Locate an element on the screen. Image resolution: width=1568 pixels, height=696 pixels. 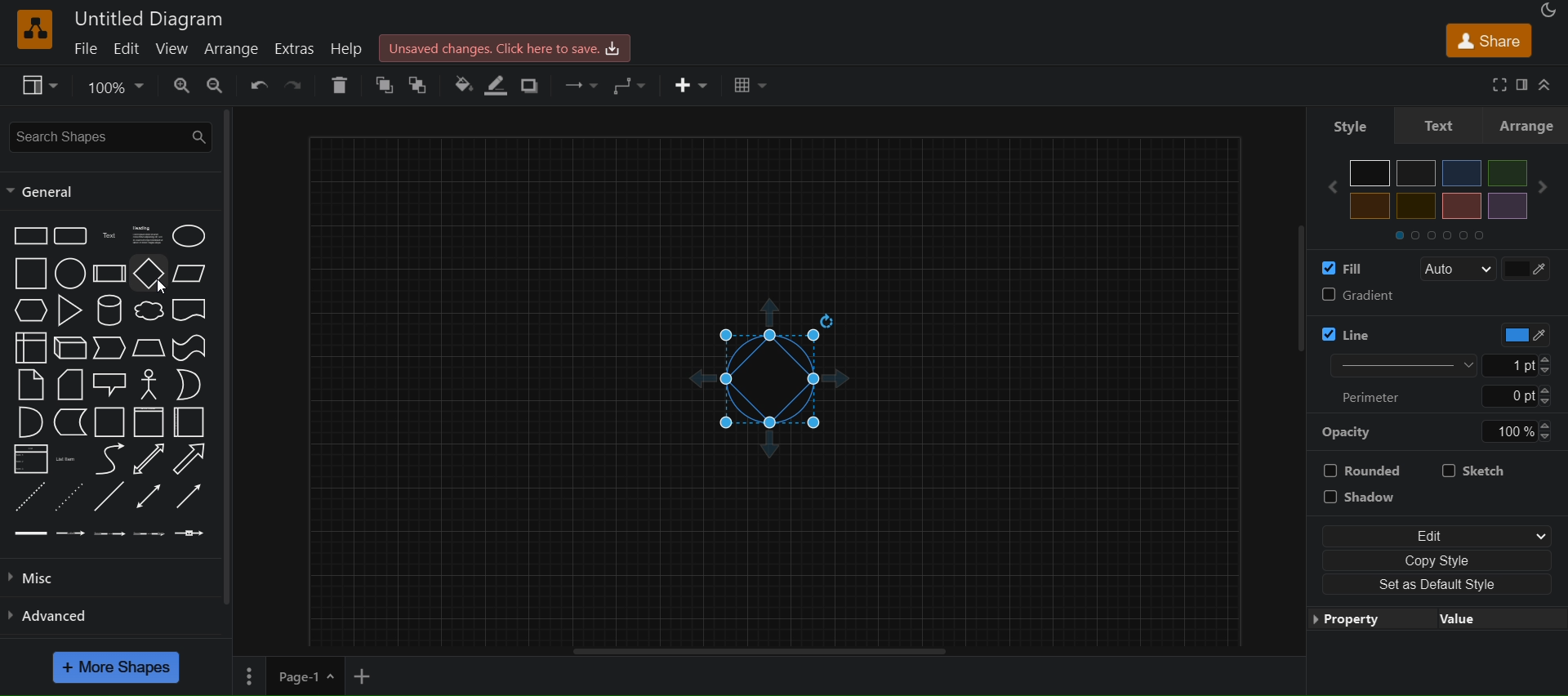
list item is located at coordinates (69, 459).